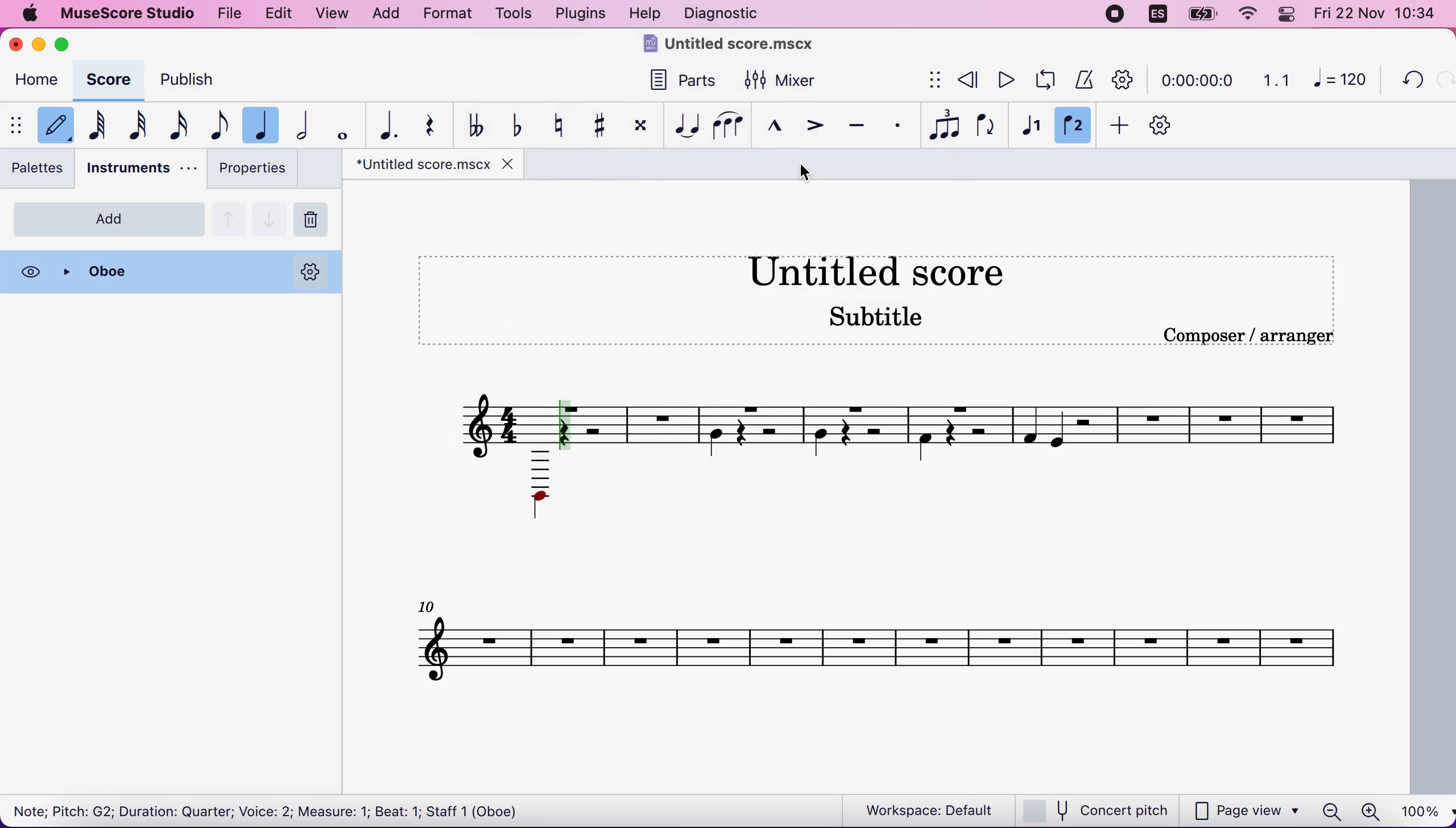  I want to click on show/hide, so click(933, 80).